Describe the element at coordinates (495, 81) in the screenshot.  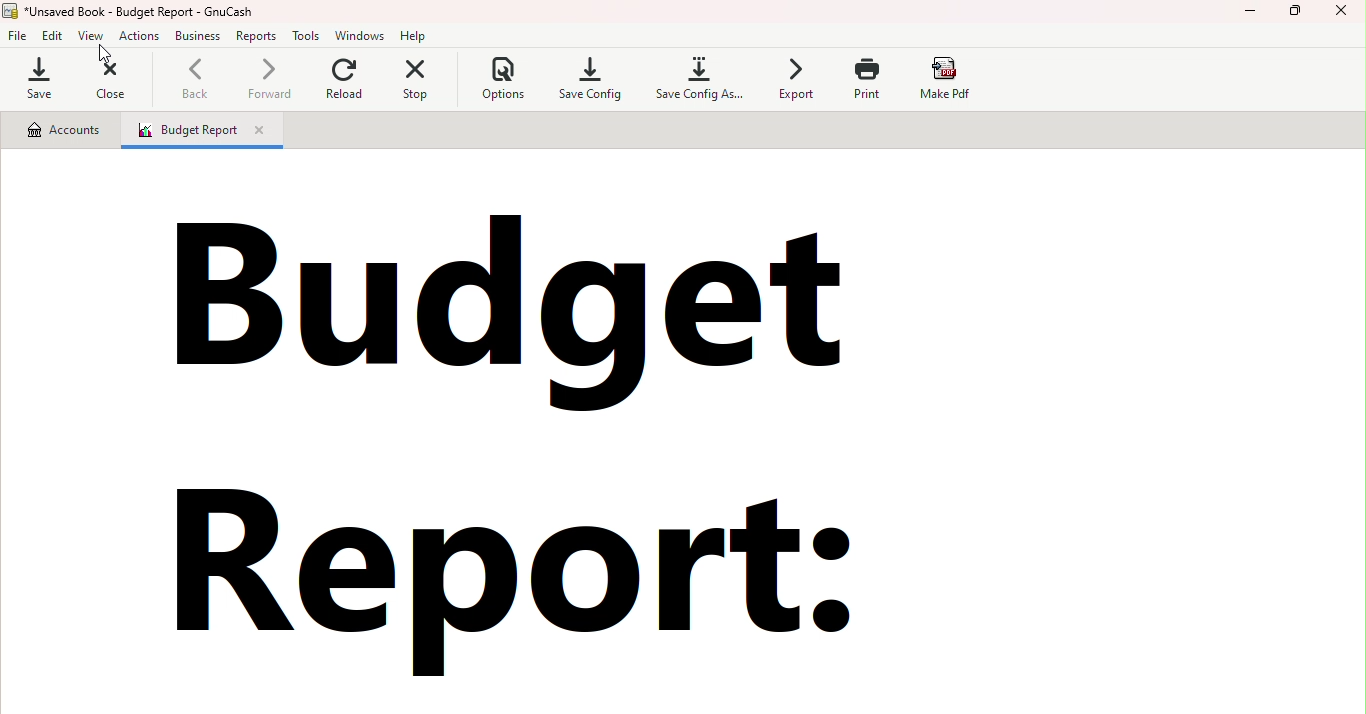
I see `Options` at that location.